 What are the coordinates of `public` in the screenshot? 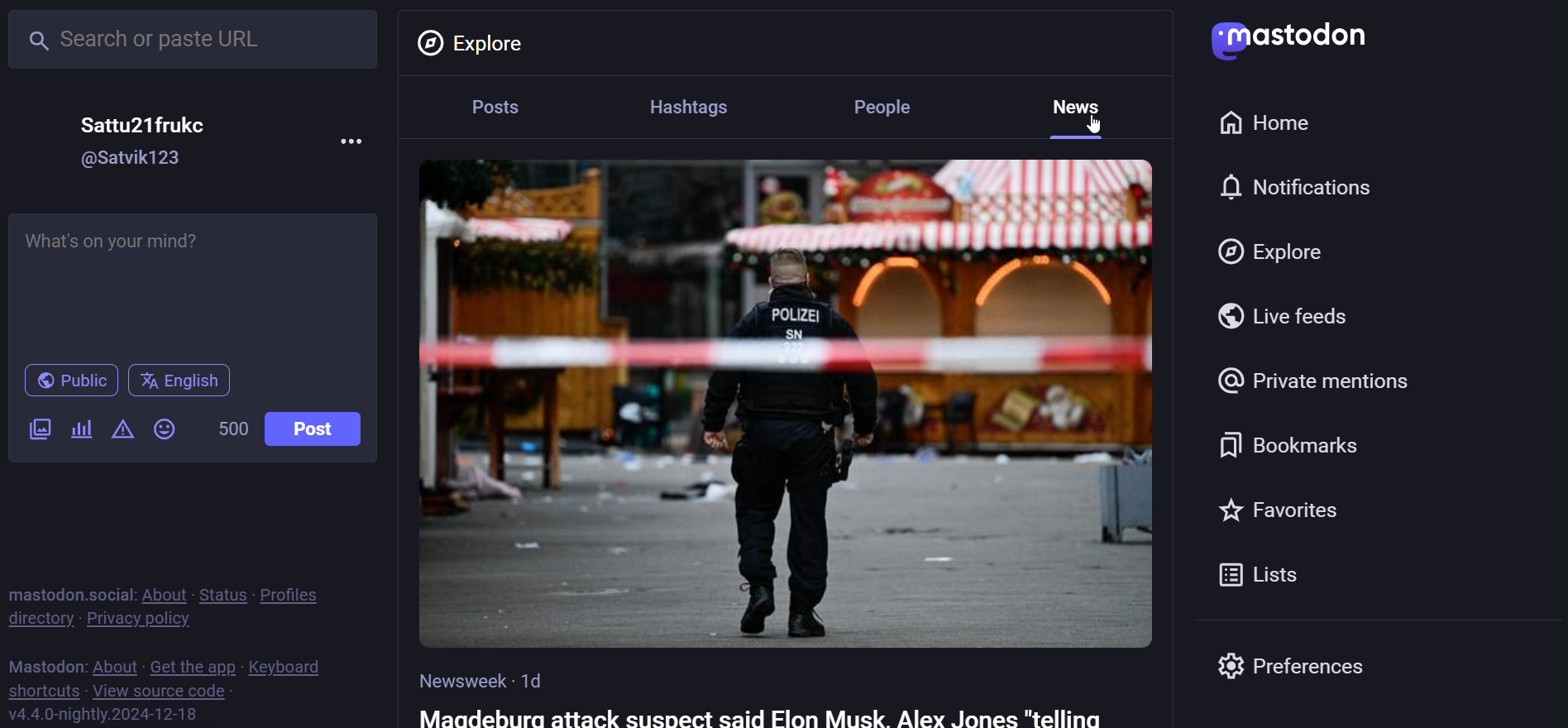 It's located at (69, 381).